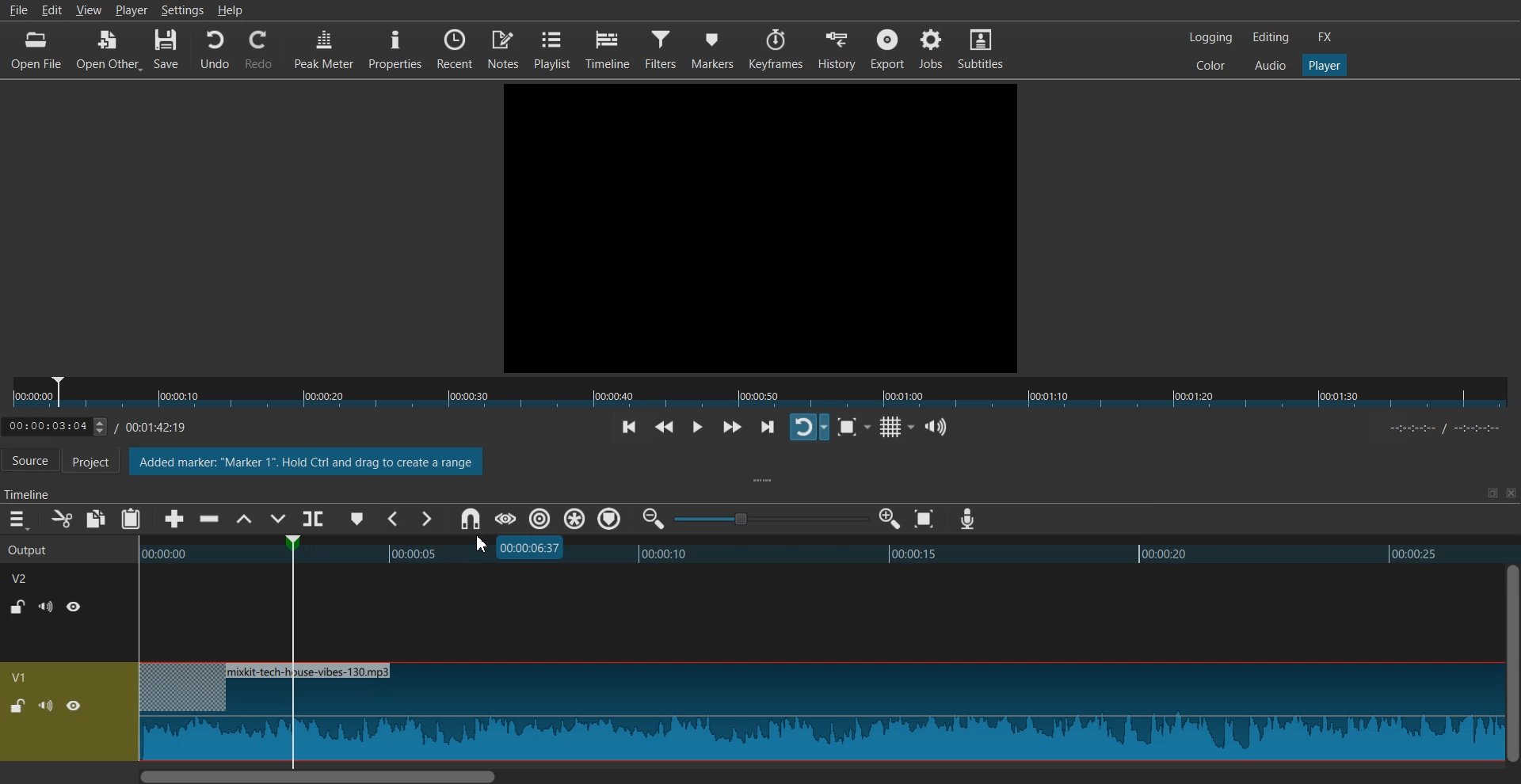 The image size is (1521, 784). What do you see at coordinates (776, 49) in the screenshot?
I see `Keyframes` at bounding box center [776, 49].